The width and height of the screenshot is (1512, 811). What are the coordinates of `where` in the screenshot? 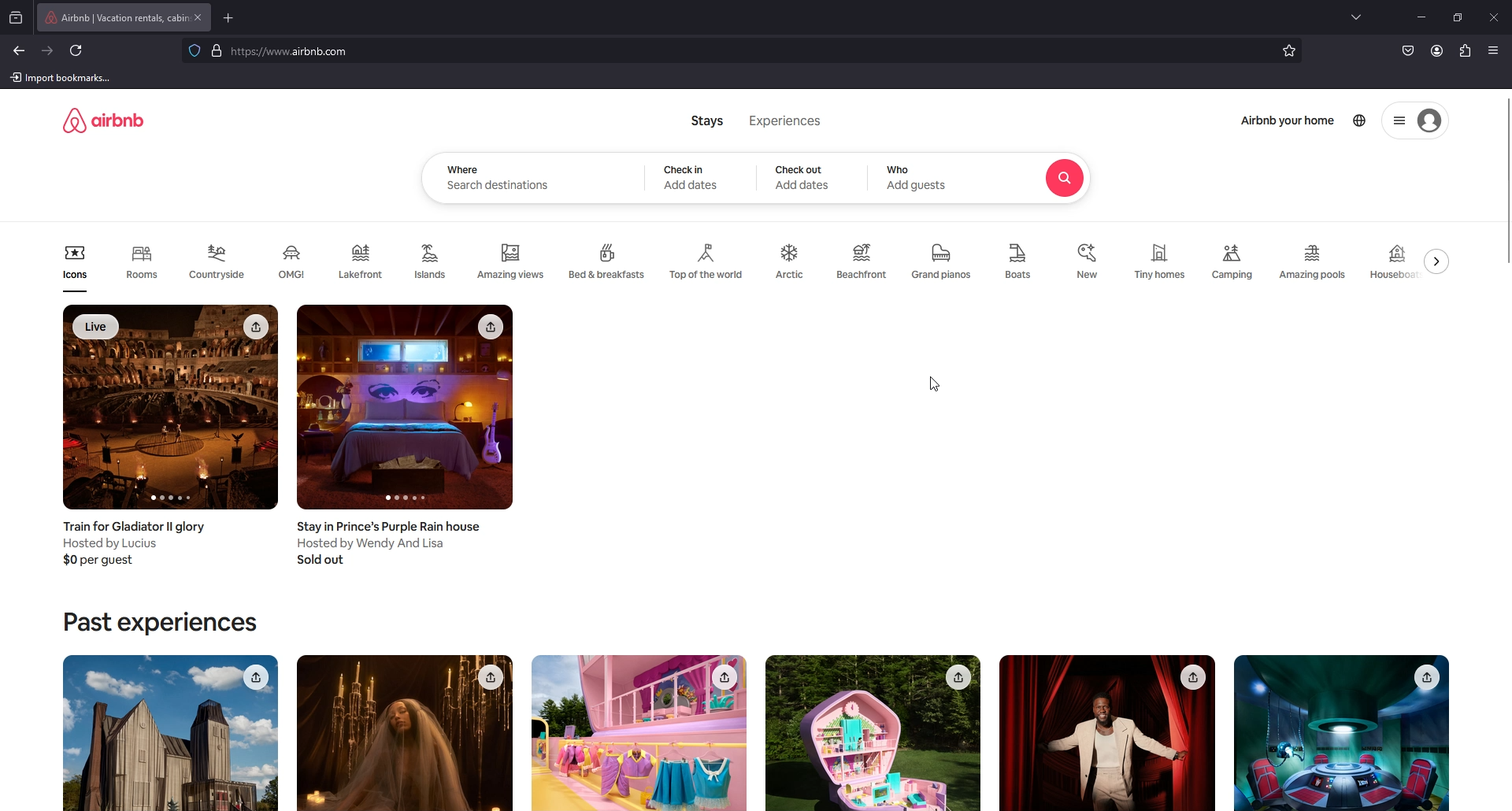 It's located at (463, 169).